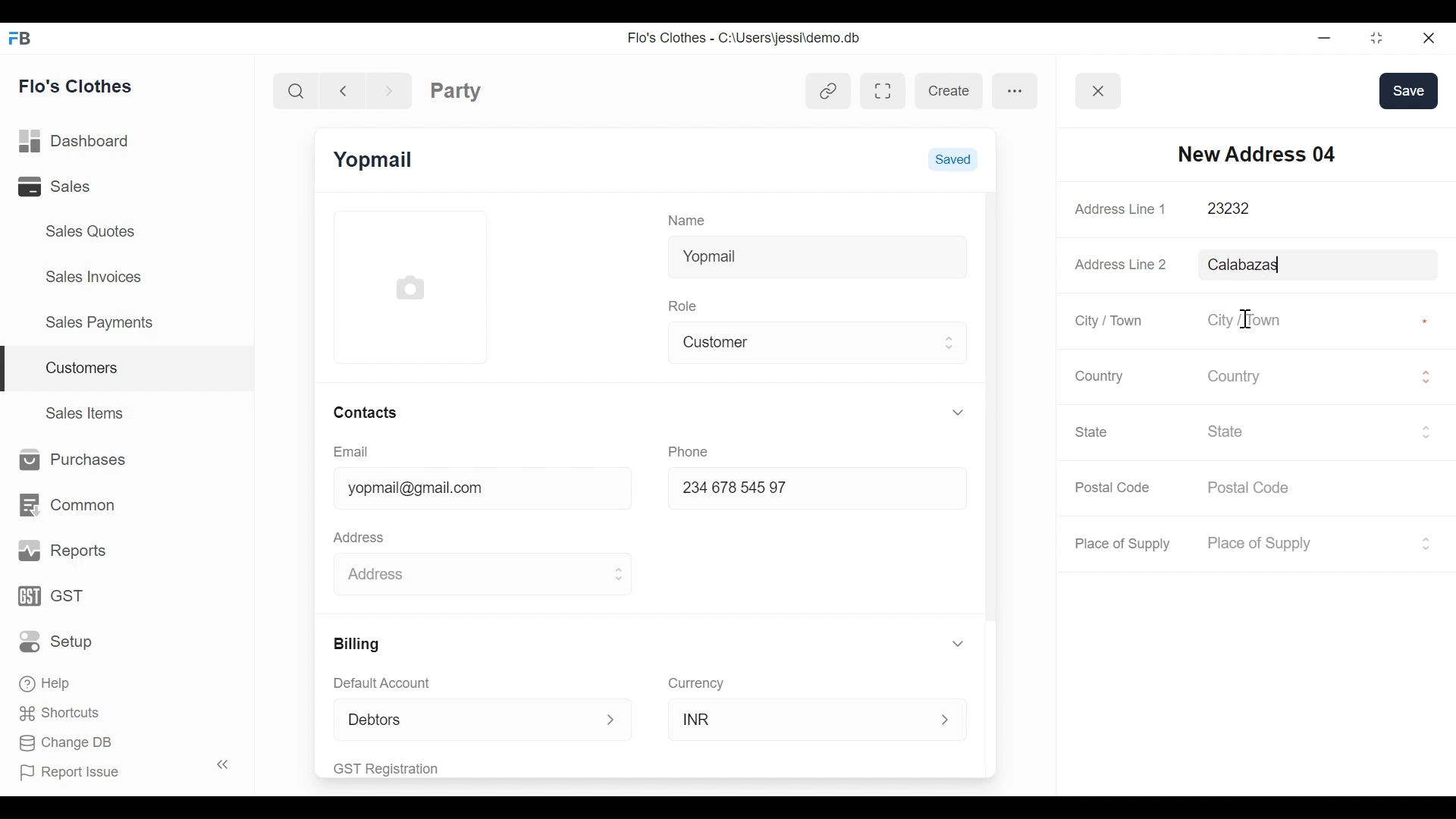 The width and height of the screenshot is (1456, 819). Describe the element at coordinates (75, 186) in the screenshot. I see `Sales` at that location.